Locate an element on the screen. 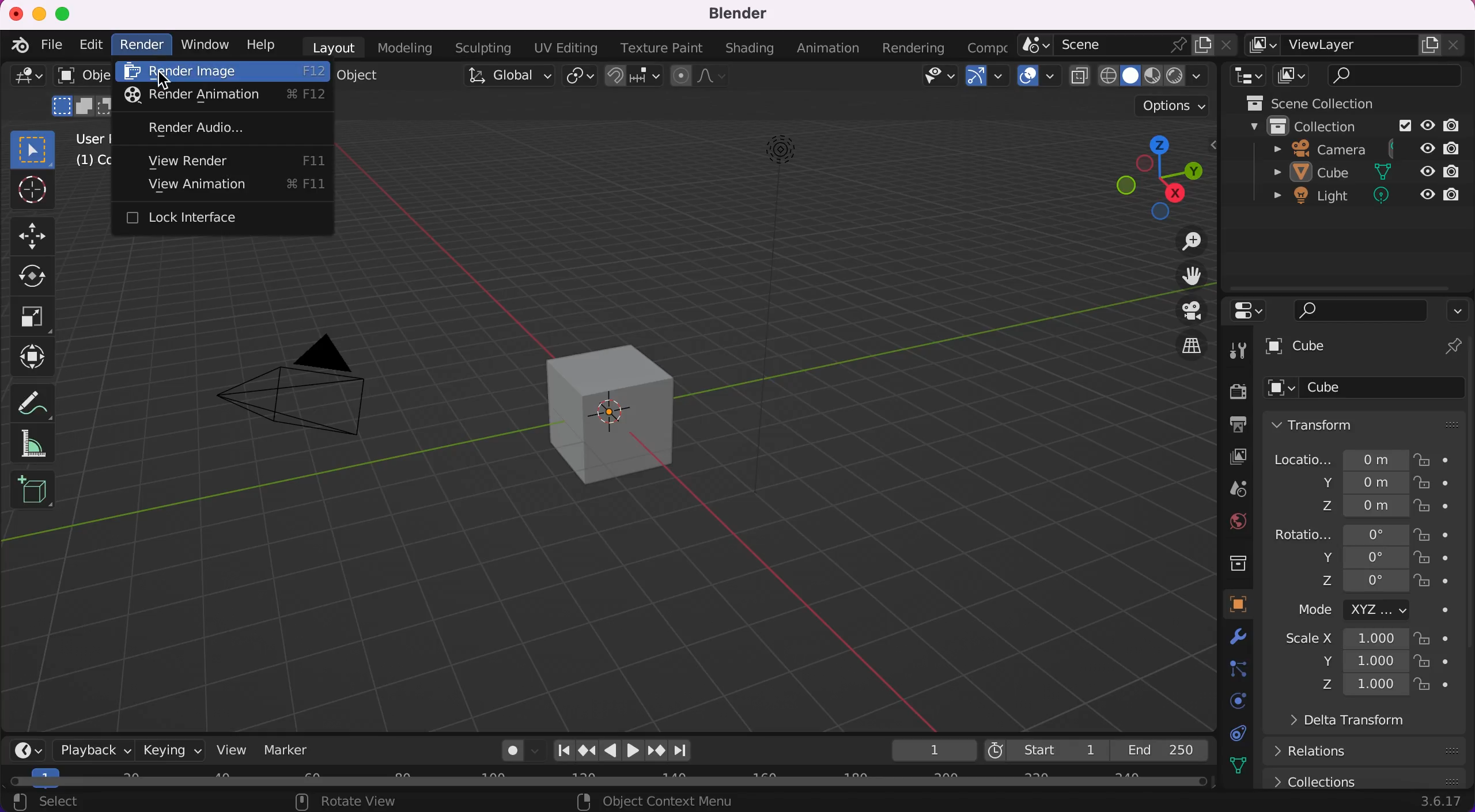  collections is located at coordinates (1368, 779).